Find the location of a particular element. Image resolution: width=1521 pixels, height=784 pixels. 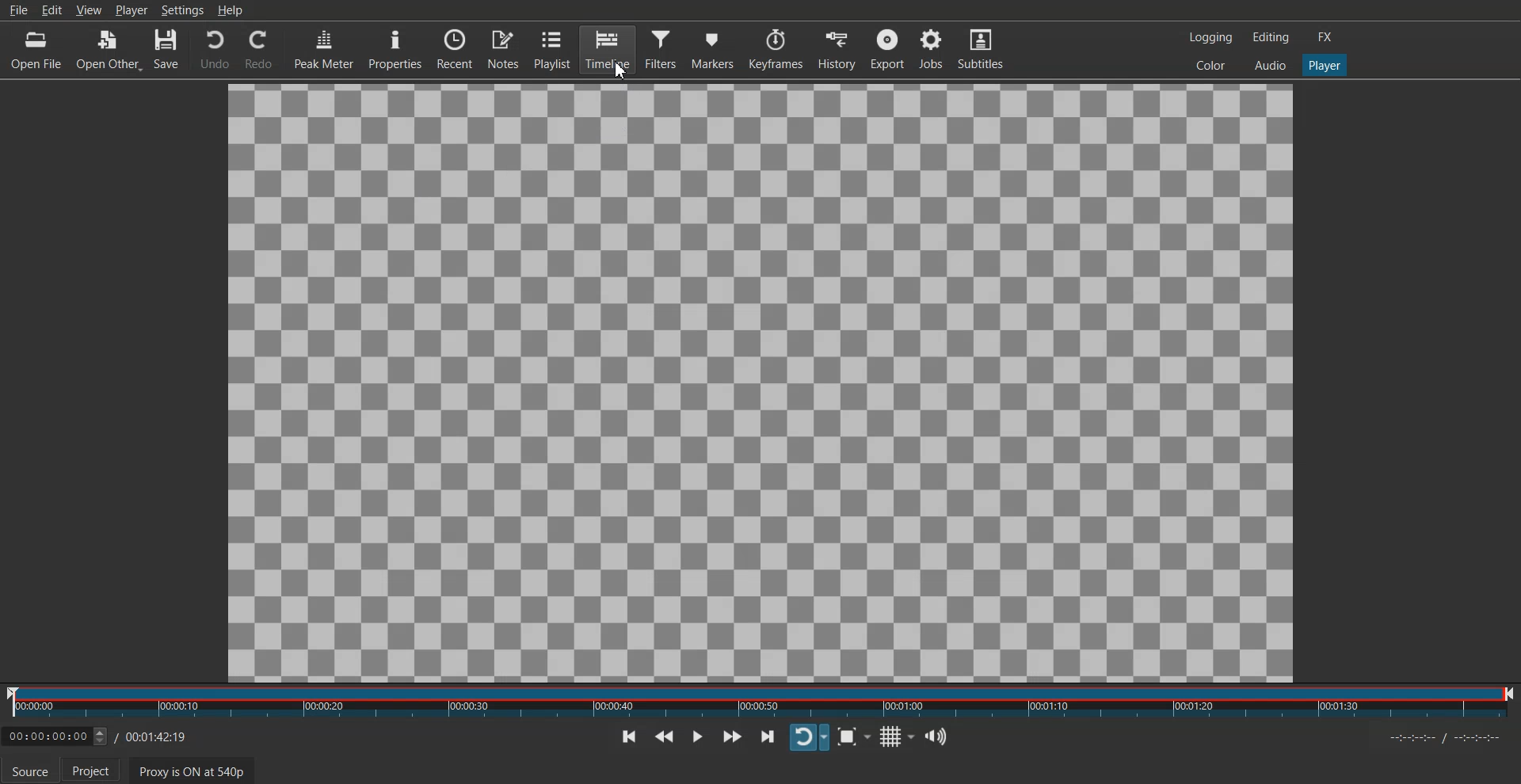

Playlist is located at coordinates (552, 48).